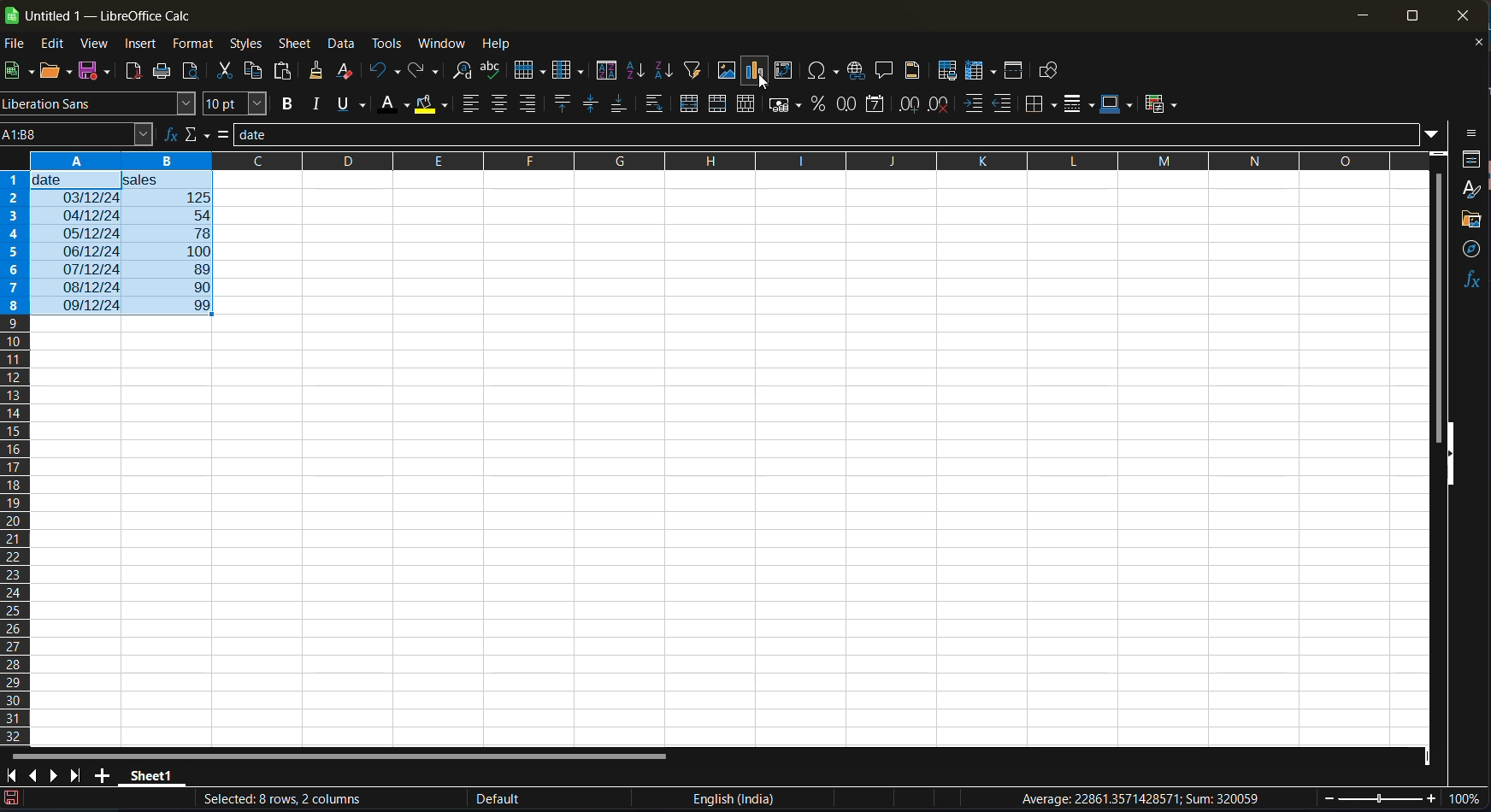 The width and height of the screenshot is (1491, 812). What do you see at coordinates (857, 73) in the screenshot?
I see `insert hyperlink` at bounding box center [857, 73].